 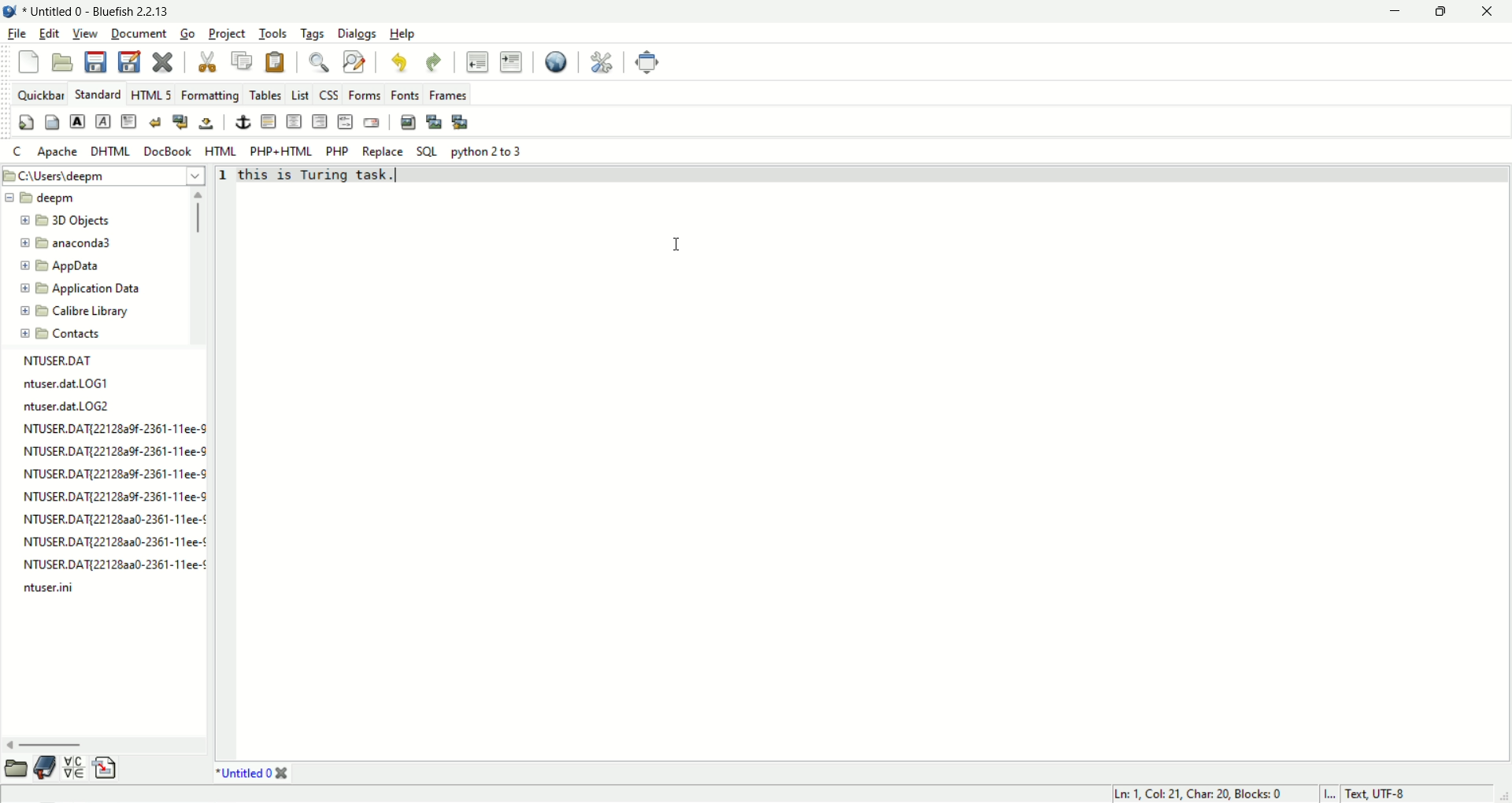 What do you see at coordinates (139, 32) in the screenshot?
I see `document` at bounding box center [139, 32].